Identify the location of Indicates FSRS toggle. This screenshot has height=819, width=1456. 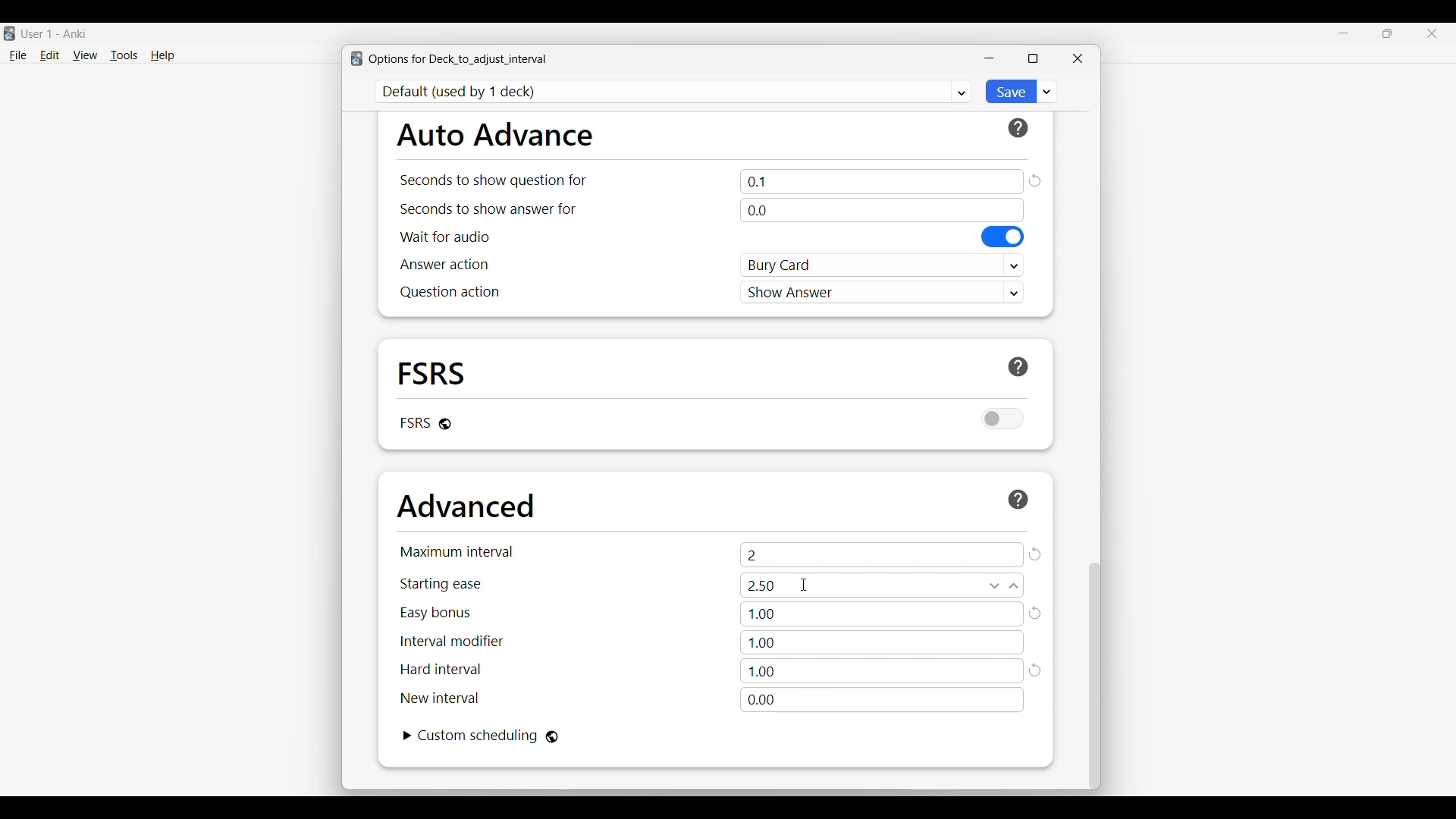
(414, 422).